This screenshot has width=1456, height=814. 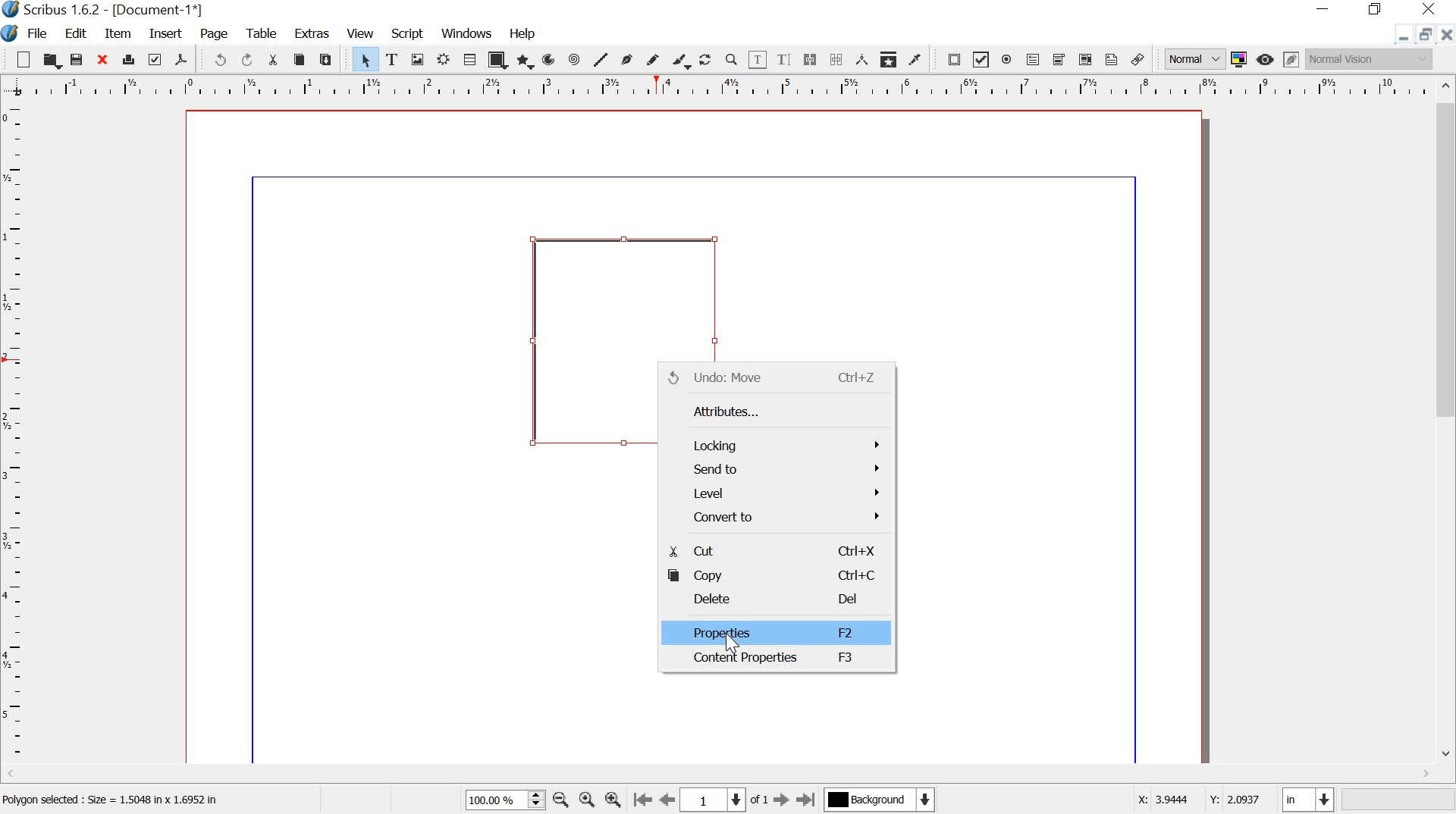 What do you see at coordinates (313, 33) in the screenshot?
I see `extras` at bounding box center [313, 33].